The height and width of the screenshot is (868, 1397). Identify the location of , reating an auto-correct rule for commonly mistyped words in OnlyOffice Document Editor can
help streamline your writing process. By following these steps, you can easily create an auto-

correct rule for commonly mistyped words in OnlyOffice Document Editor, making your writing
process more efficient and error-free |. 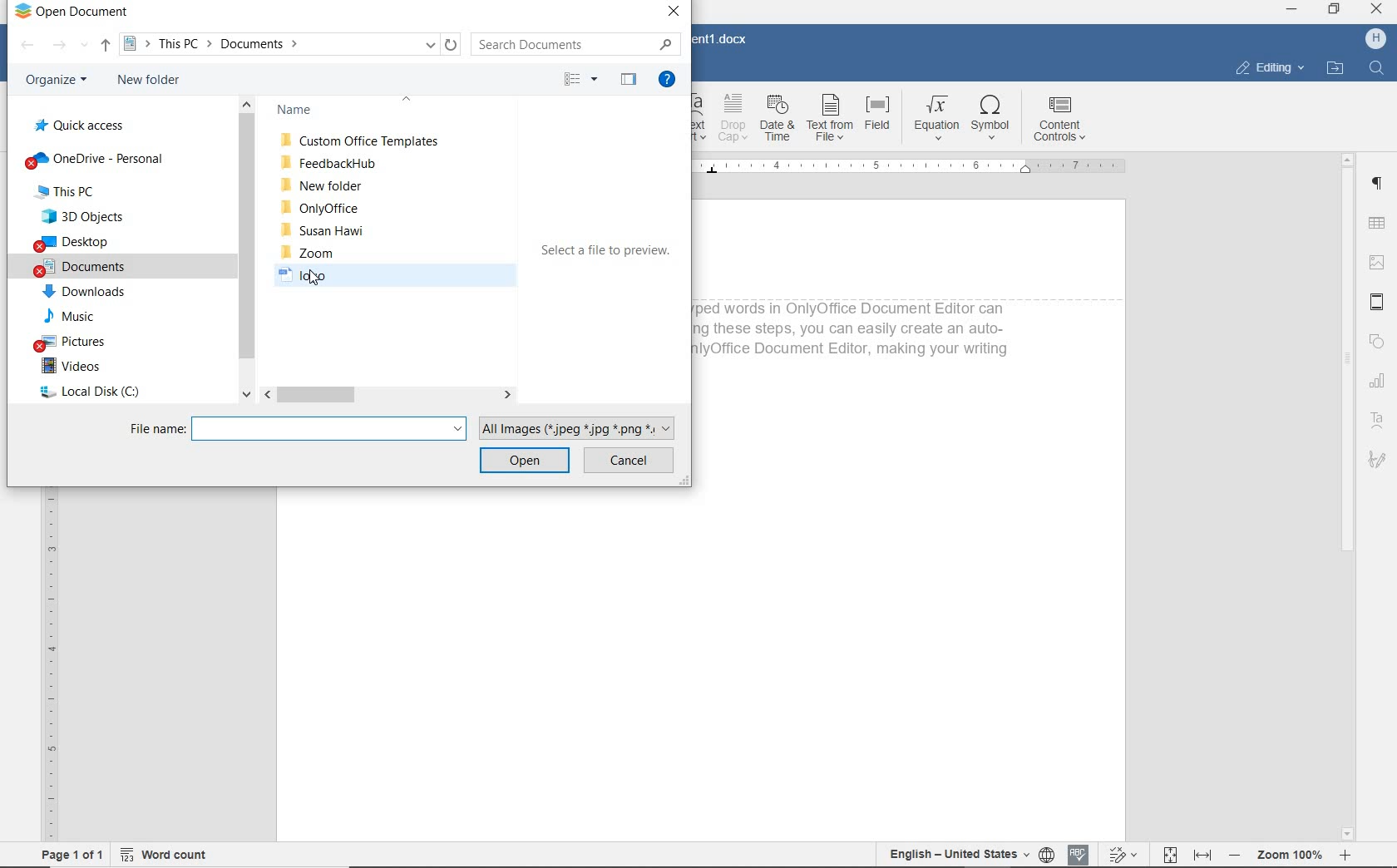
(856, 338).